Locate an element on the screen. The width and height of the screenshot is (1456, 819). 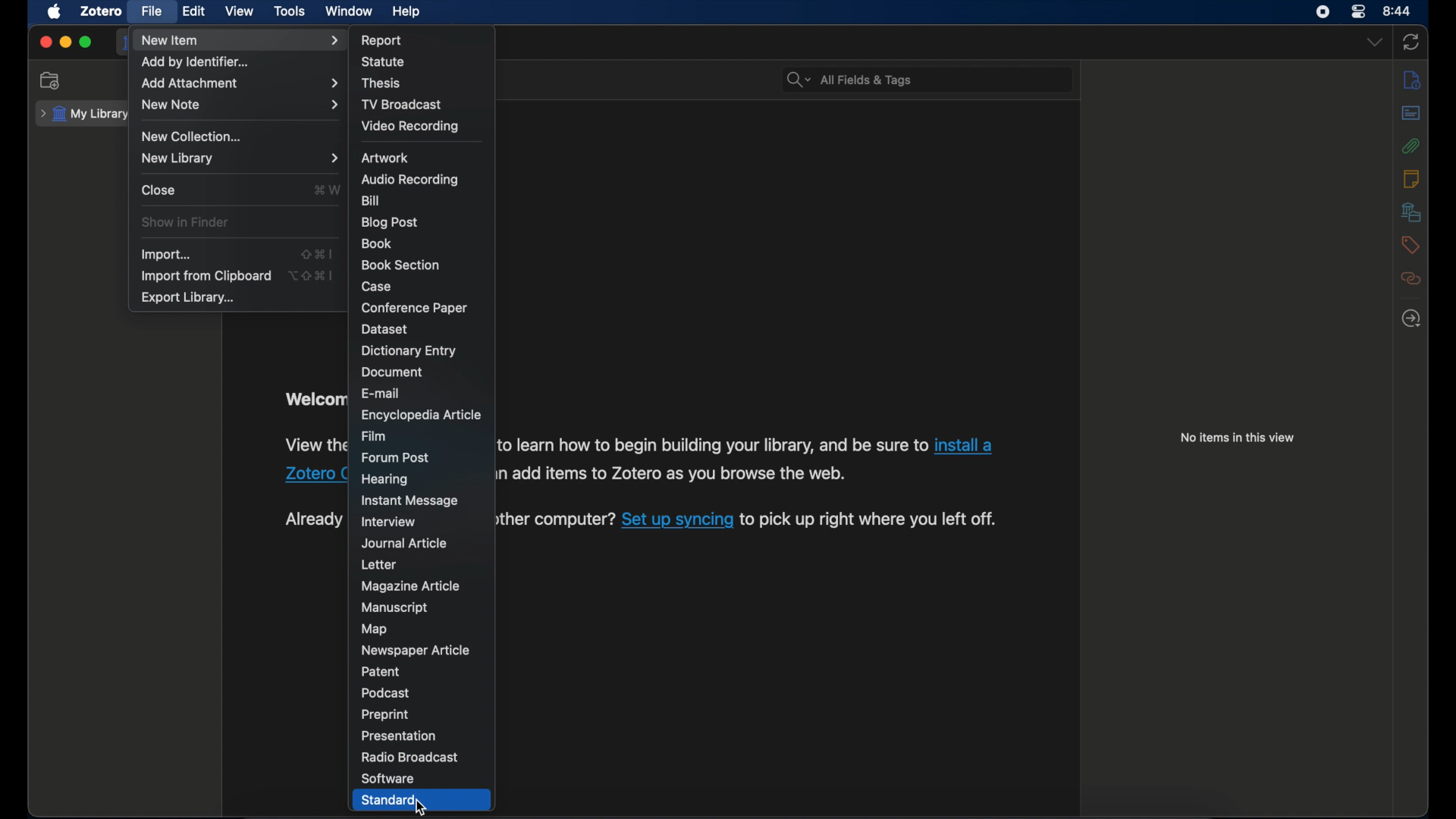
magazine article is located at coordinates (409, 586).